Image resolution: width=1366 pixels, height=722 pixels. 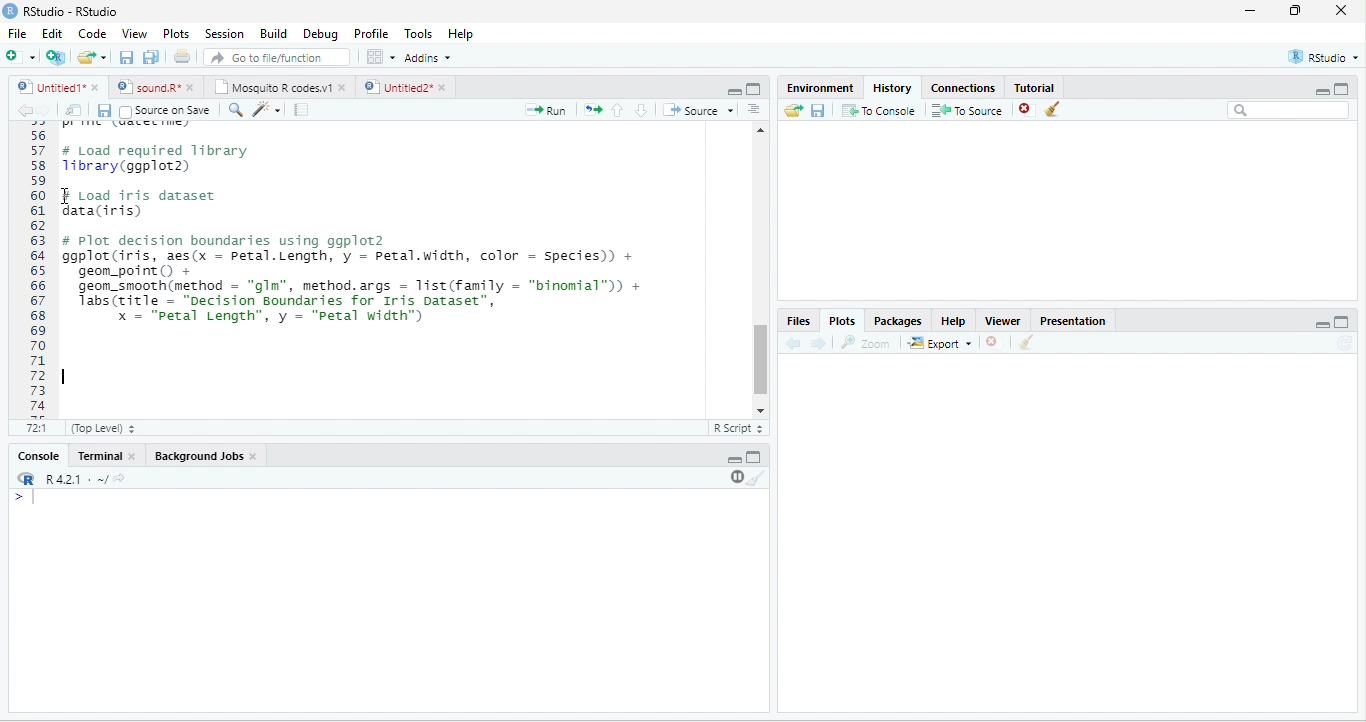 What do you see at coordinates (46, 111) in the screenshot?
I see `forward` at bounding box center [46, 111].